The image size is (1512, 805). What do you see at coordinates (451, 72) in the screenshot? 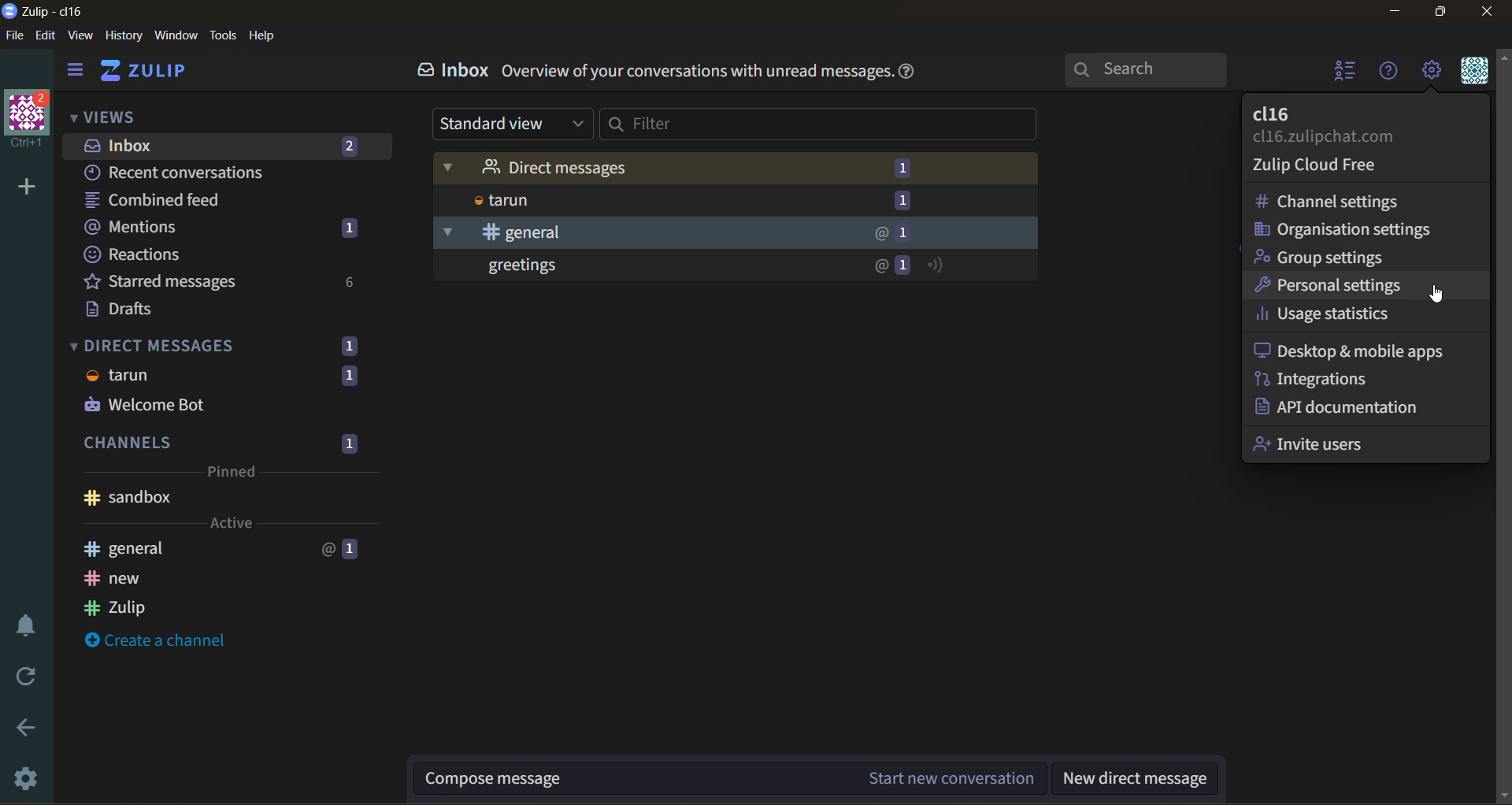
I see `inbox` at bounding box center [451, 72].